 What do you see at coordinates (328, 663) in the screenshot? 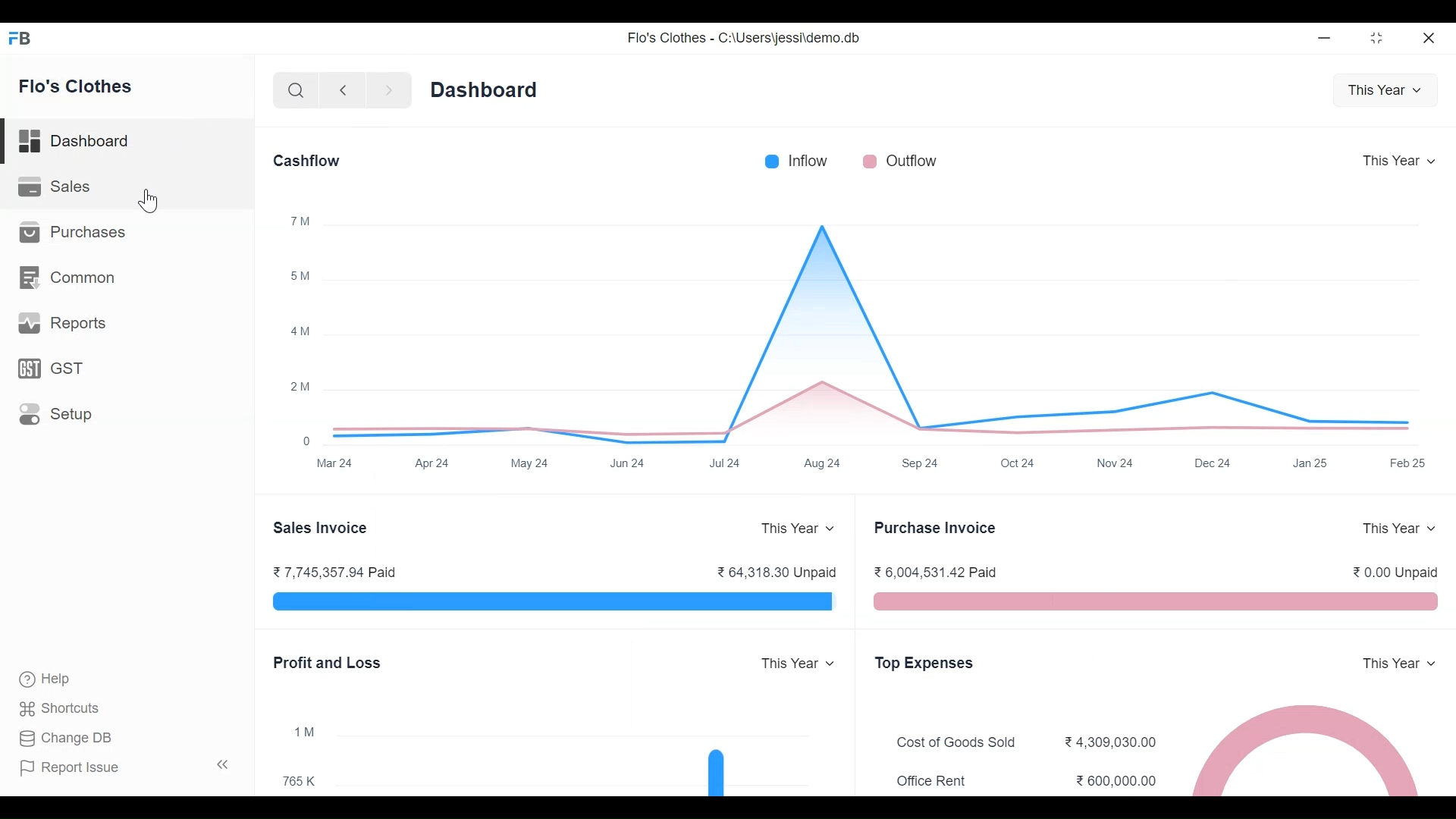
I see `Profit and Loss` at bounding box center [328, 663].